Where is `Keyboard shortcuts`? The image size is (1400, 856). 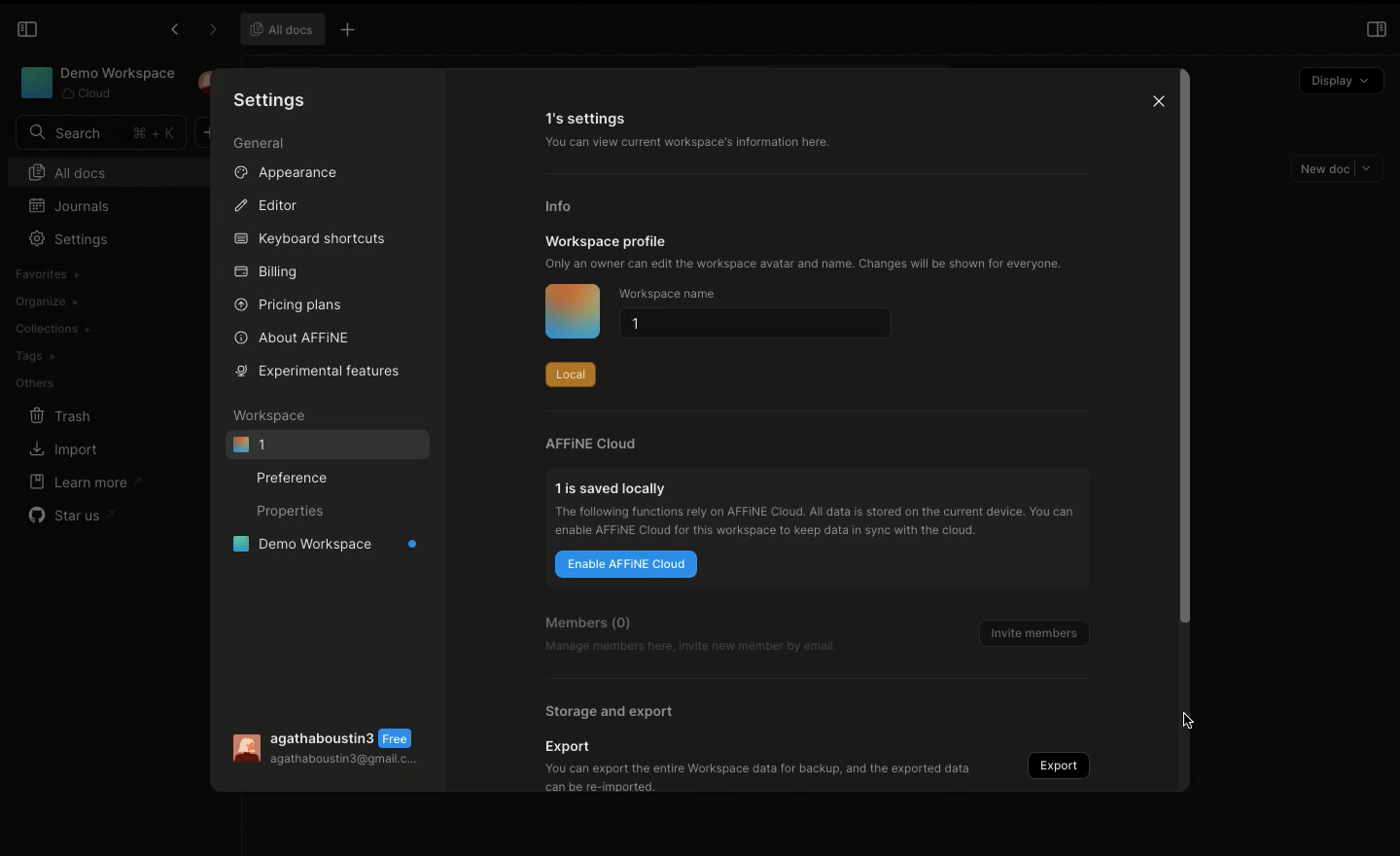 Keyboard shortcuts is located at coordinates (308, 239).